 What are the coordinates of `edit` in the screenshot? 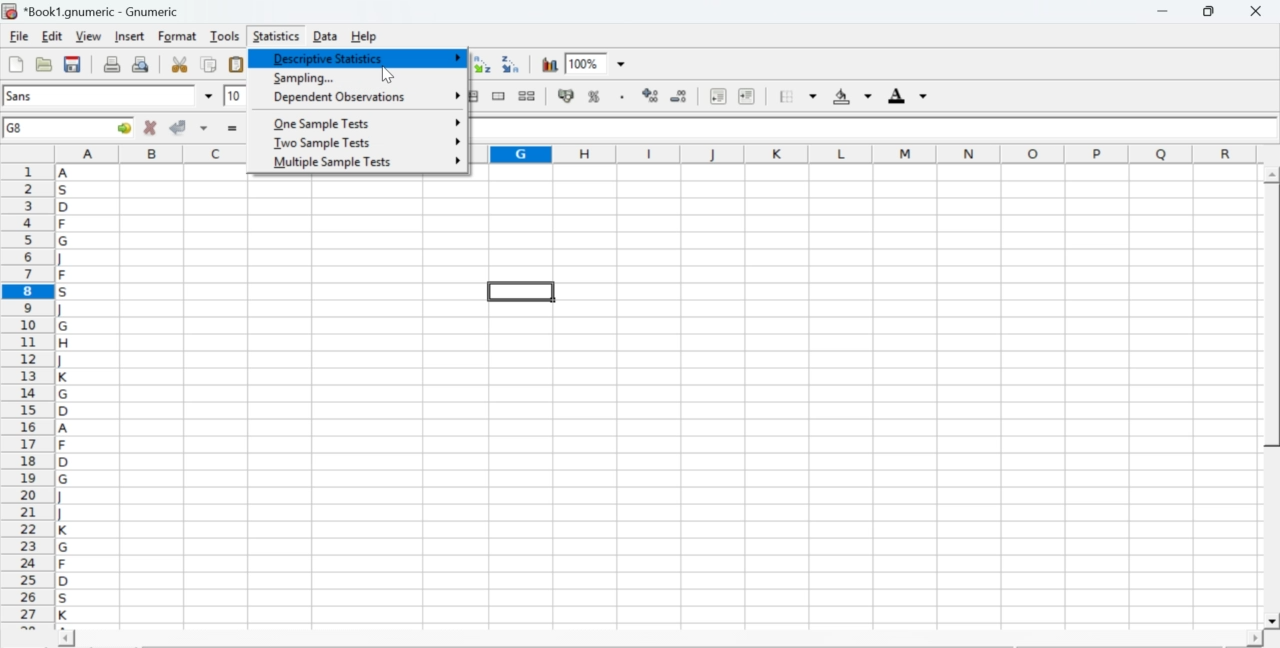 It's located at (52, 36).